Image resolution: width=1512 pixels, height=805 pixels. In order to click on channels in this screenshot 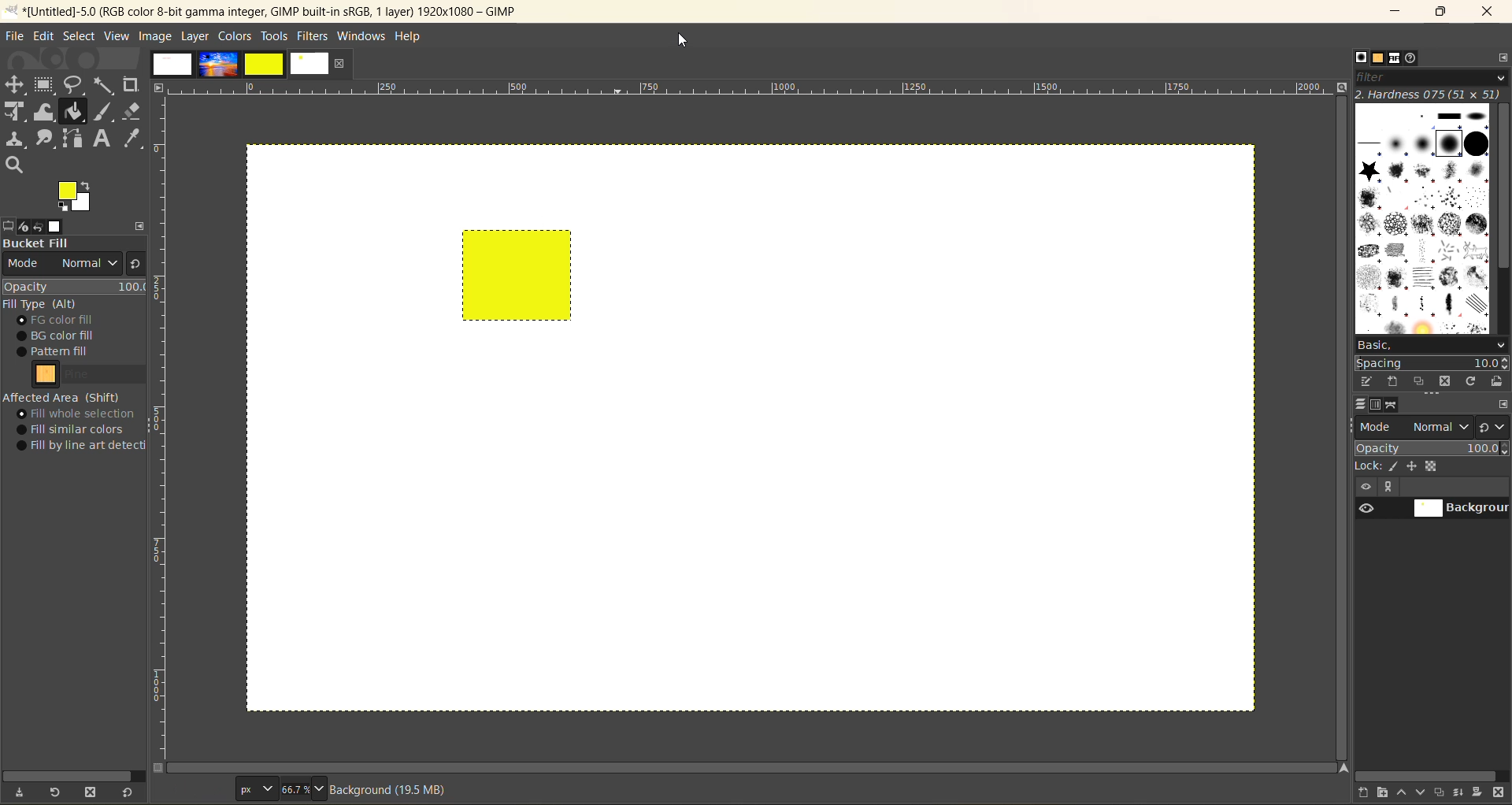, I will do `click(1376, 408)`.